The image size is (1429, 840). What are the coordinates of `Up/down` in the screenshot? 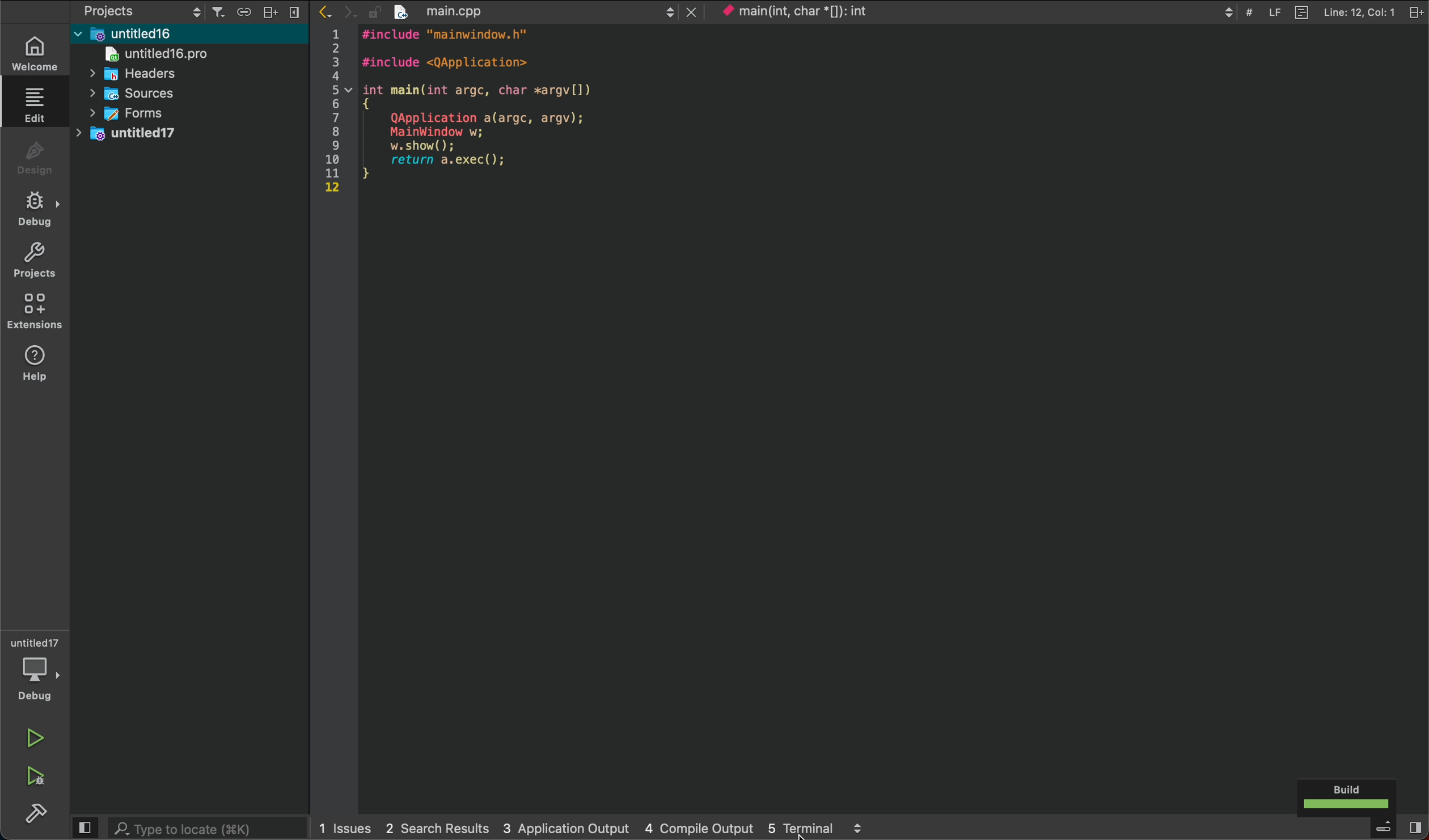 It's located at (1228, 12).